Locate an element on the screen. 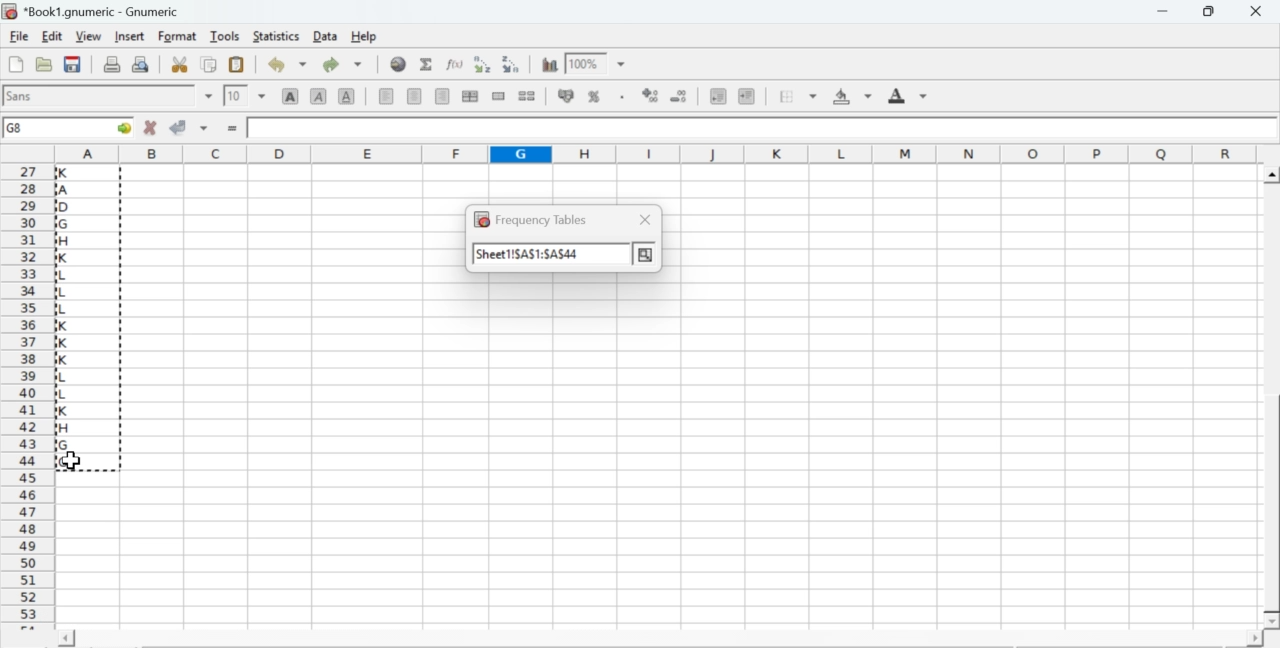  help is located at coordinates (366, 37).